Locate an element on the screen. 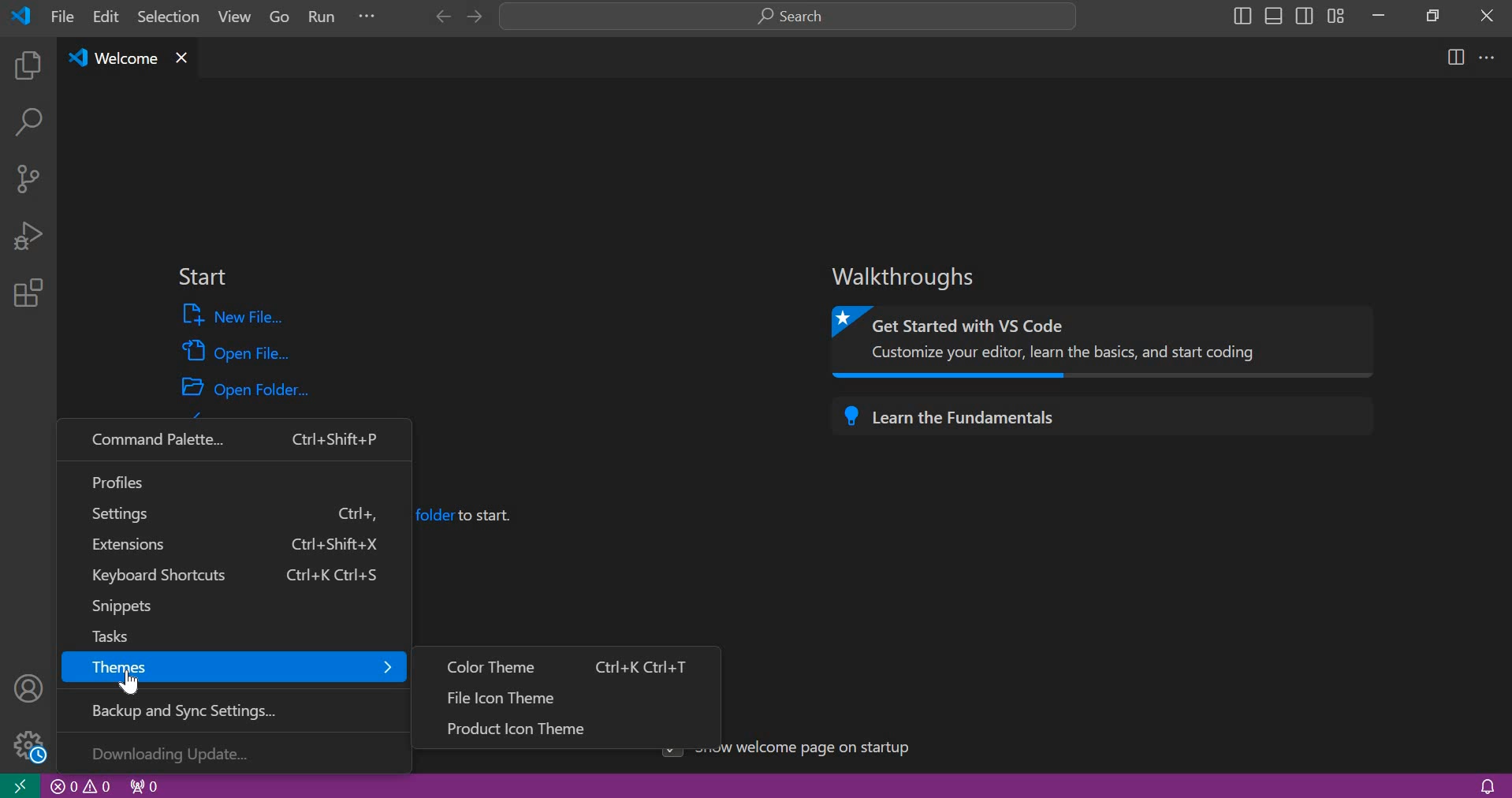 This screenshot has width=1512, height=798. toggle secondary sidebar is located at coordinates (1305, 14).